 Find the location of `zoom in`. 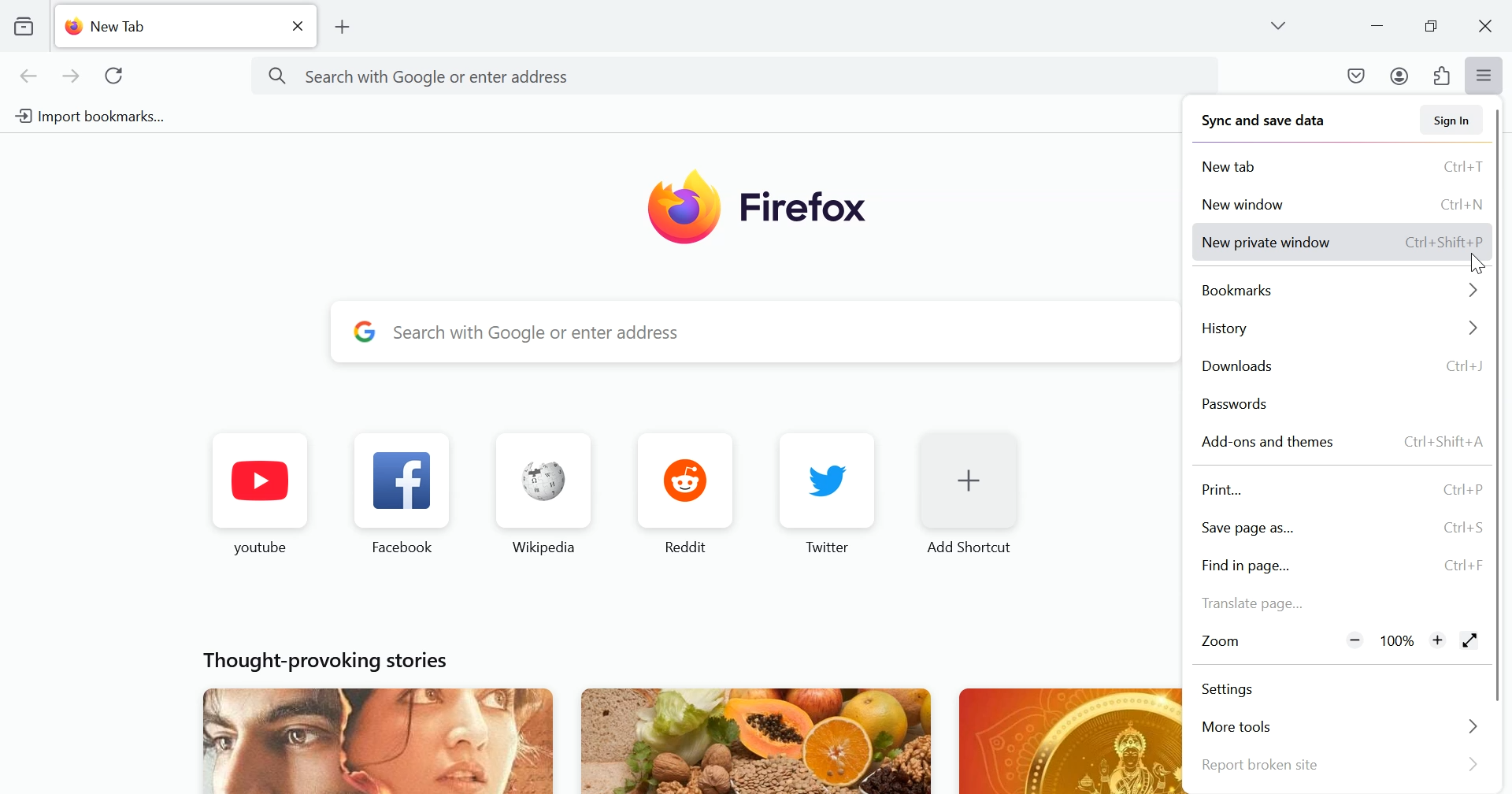

zoom in is located at coordinates (1436, 639).